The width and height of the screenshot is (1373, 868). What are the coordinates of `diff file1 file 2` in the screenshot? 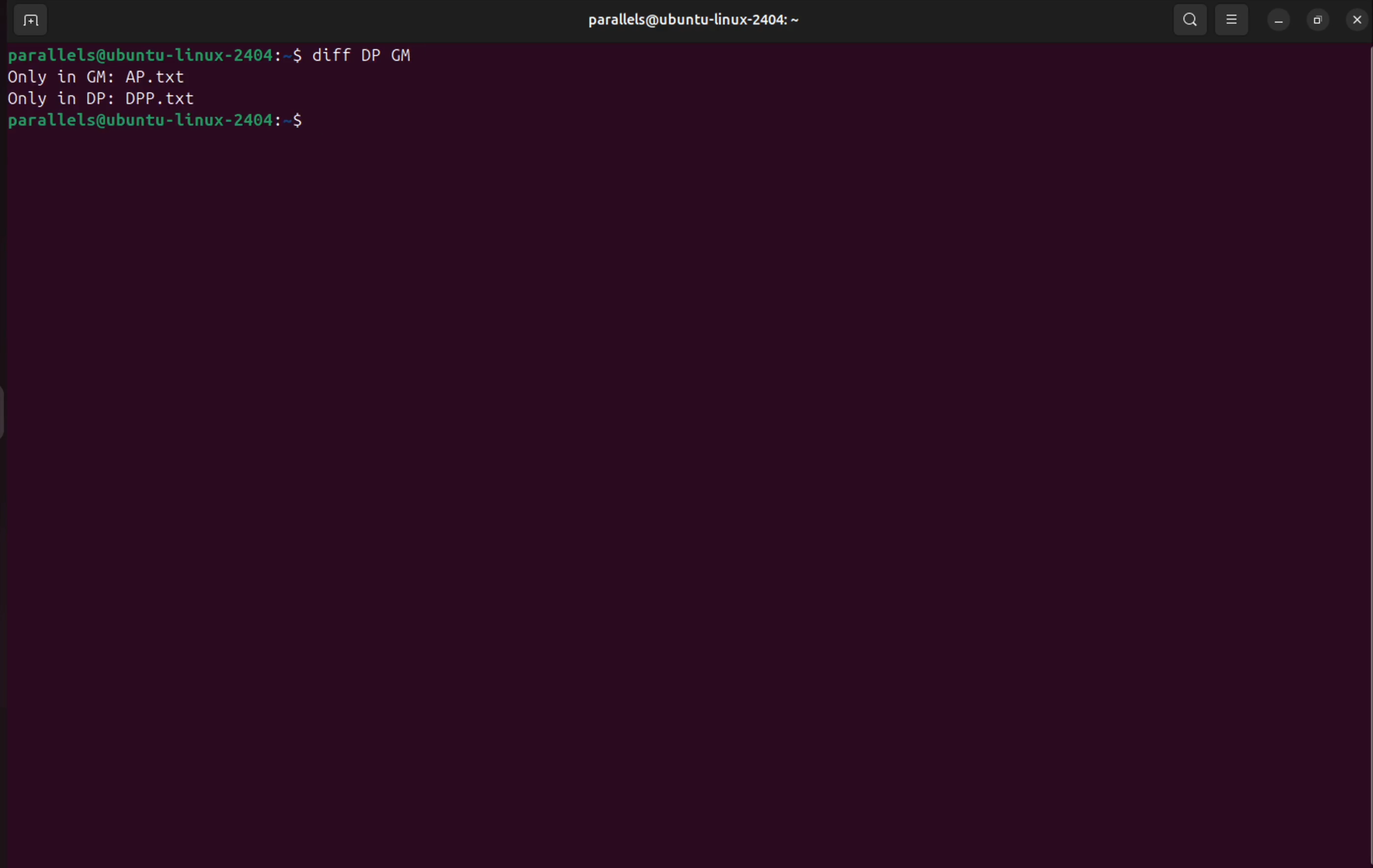 It's located at (375, 56).